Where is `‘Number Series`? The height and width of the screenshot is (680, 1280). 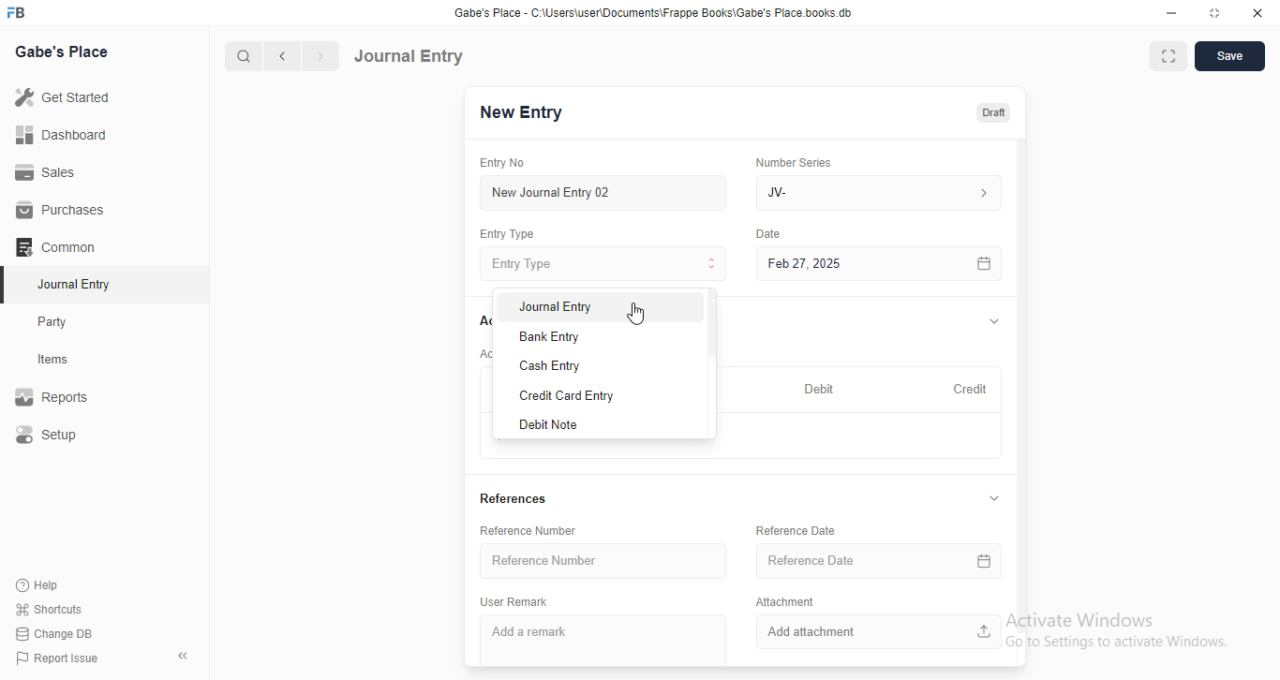 ‘Number Series is located at coordinates (794, 162).